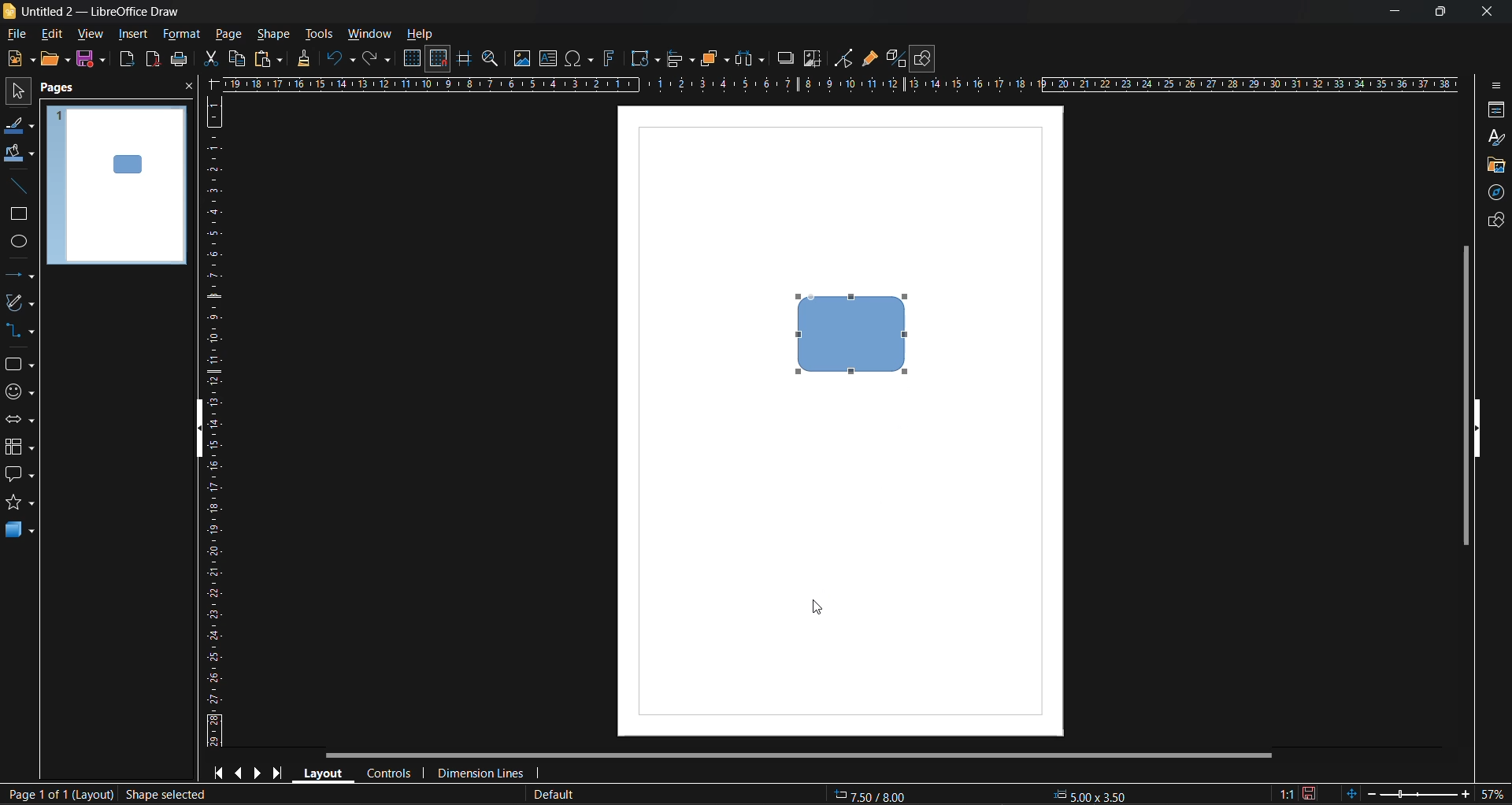  What do you see at coordinates (128, 61) in the screenshot?
I see `export` at bounding box center [128, 61].